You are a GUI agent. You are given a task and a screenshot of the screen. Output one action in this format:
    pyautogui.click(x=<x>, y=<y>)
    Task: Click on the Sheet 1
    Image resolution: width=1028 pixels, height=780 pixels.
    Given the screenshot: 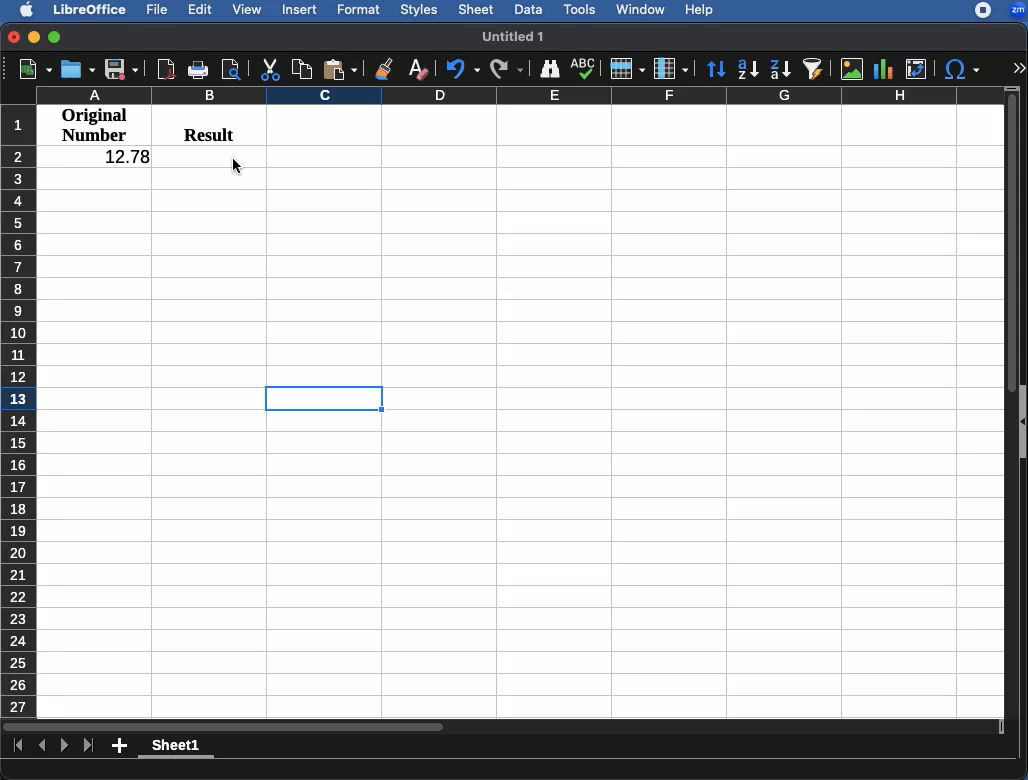 What is the action you would take?
    pyautogui.click(x=177, y=747)
    